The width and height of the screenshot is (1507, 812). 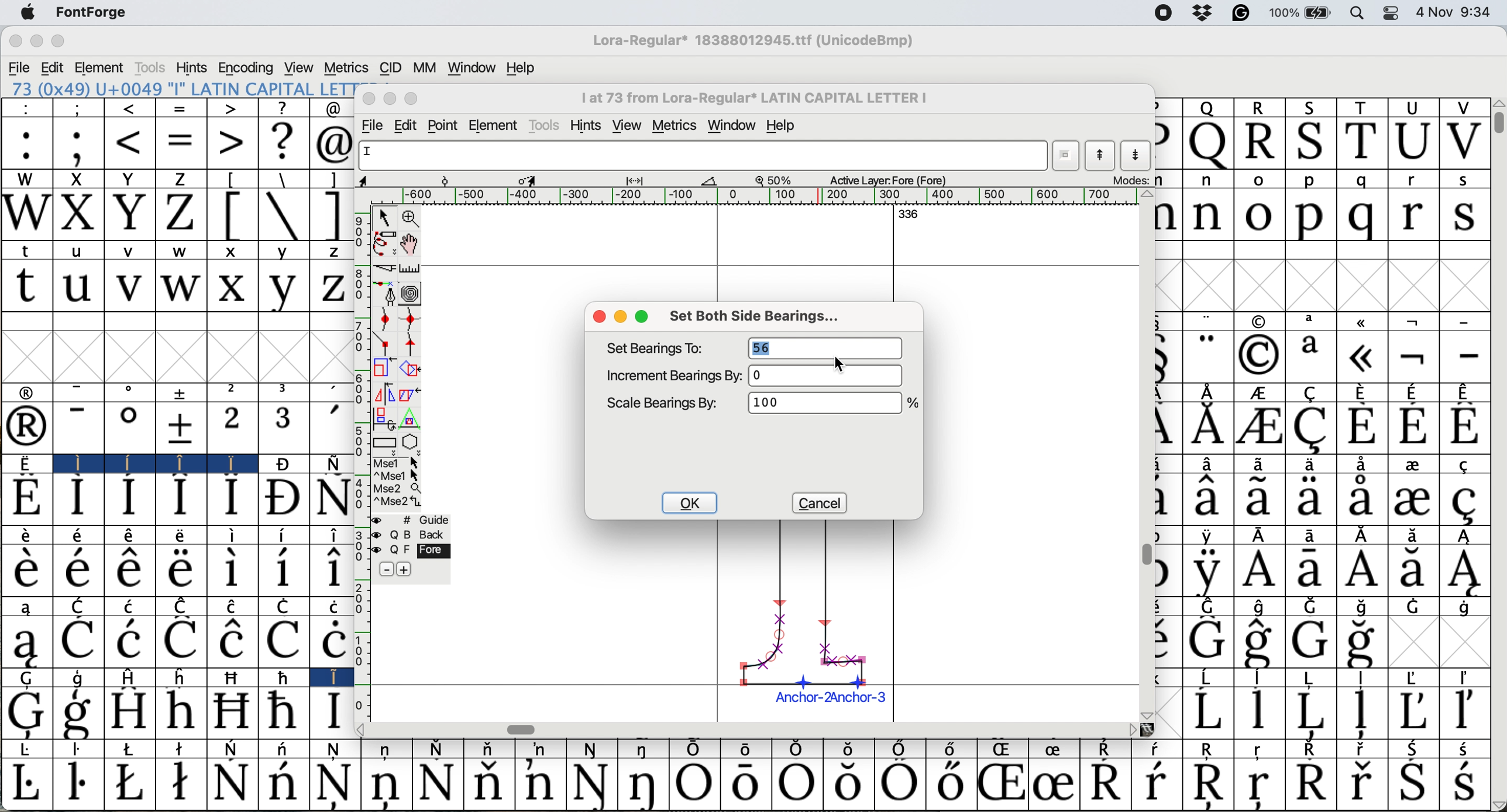 What do you see at coordinates (1148, 713) in the screenshot?
I see `` at bounding box center [1148, 713].